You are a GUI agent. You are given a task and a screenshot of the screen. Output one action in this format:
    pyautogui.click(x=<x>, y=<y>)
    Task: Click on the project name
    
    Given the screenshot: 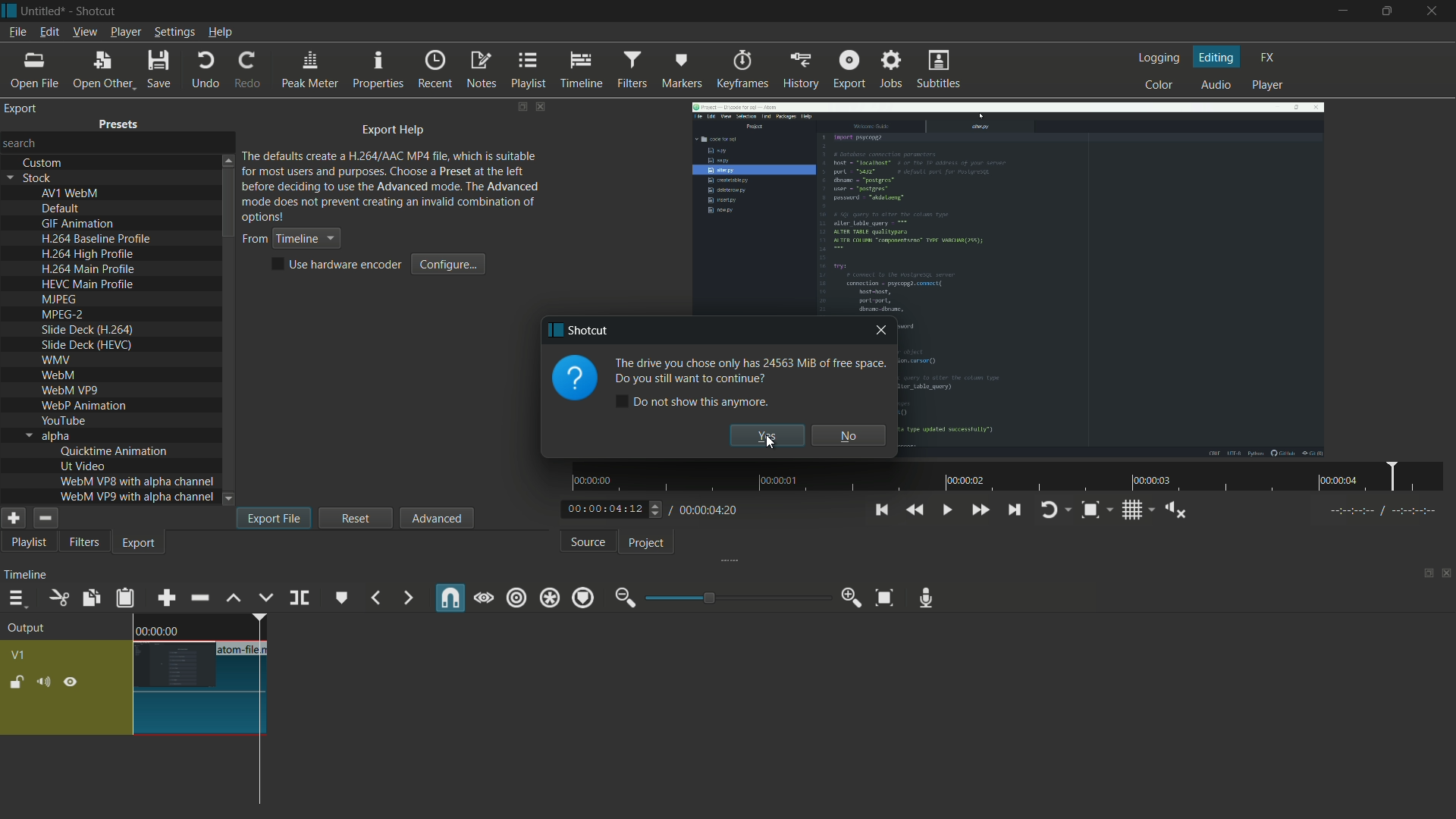 What is the action you would take?
    pyautogui.click(x=43, y=11)
    